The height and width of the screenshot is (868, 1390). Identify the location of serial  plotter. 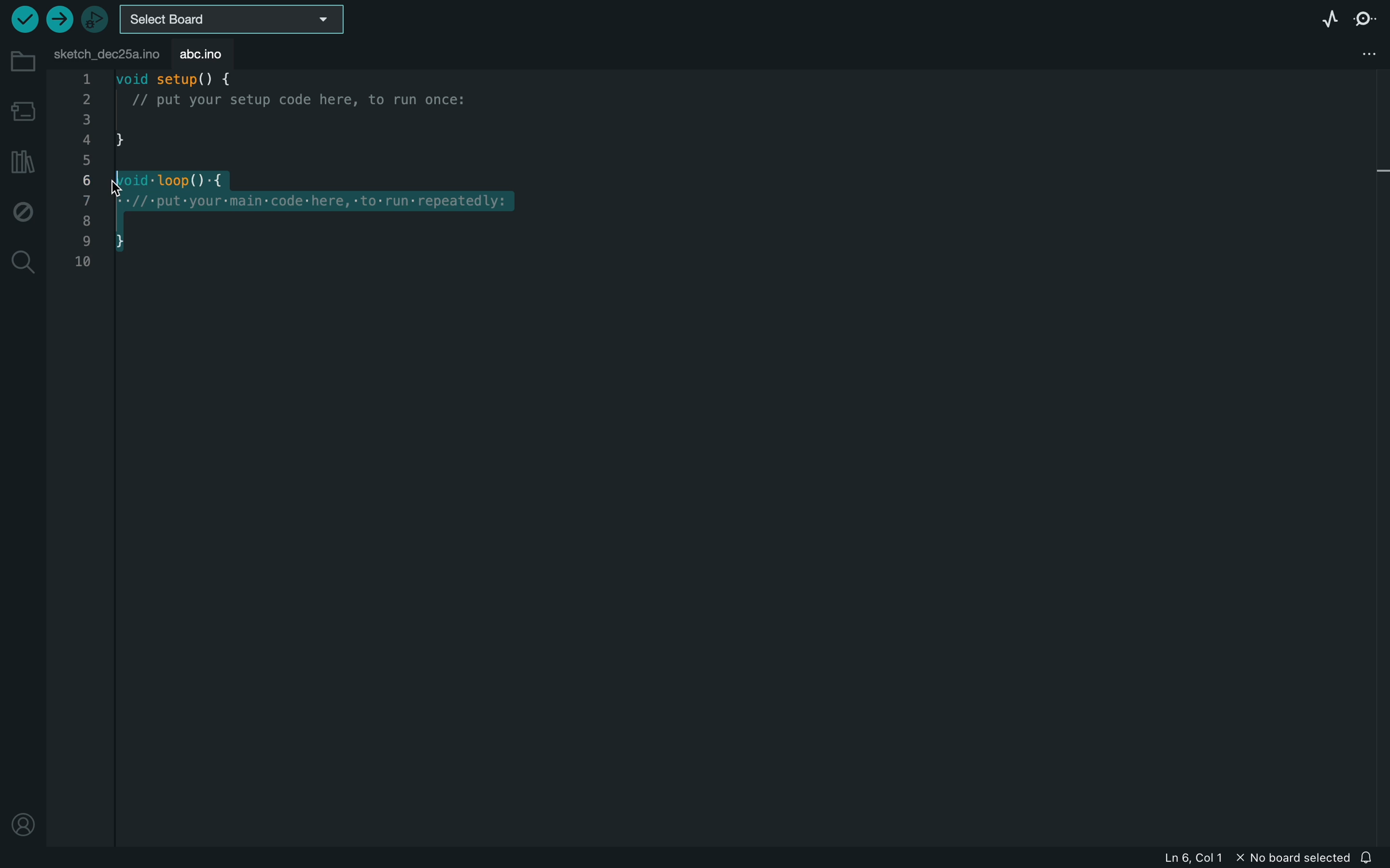
(1329, 18).